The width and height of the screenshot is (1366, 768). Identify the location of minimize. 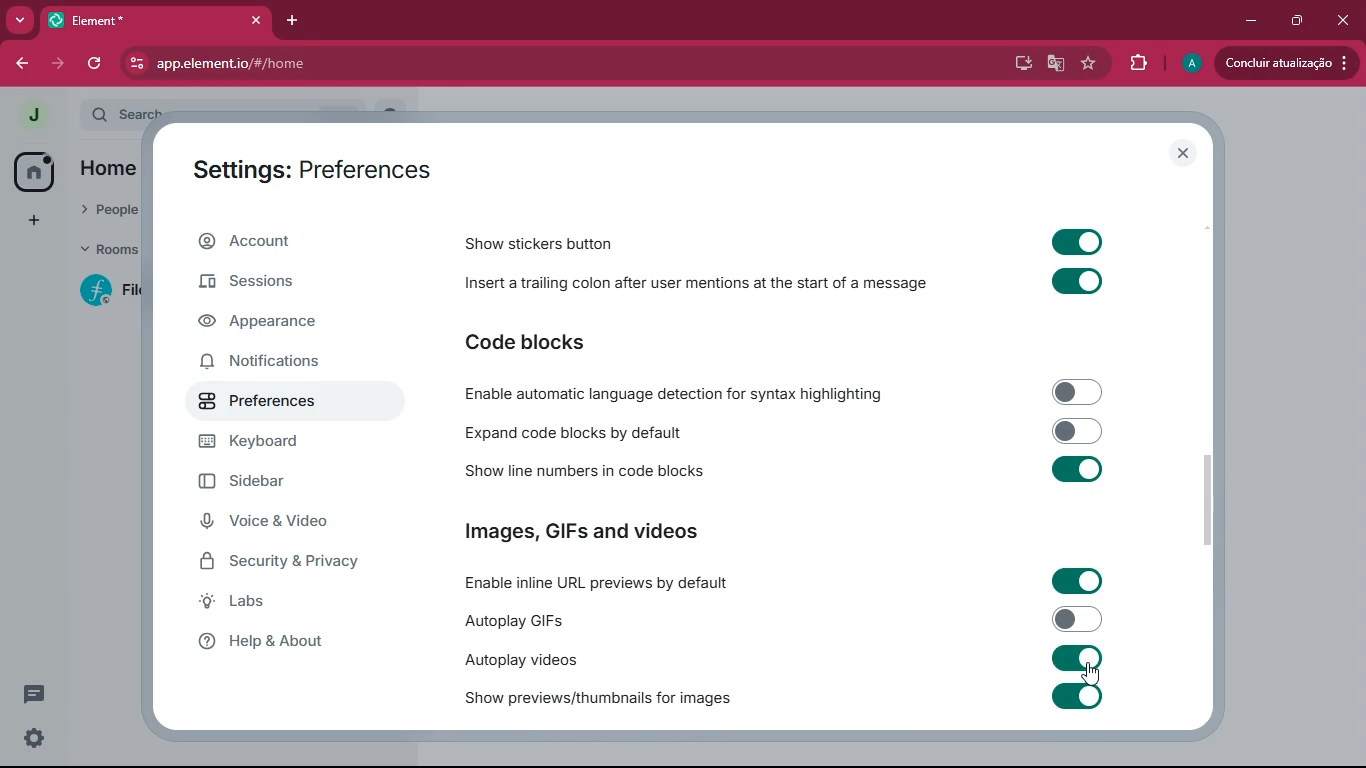
(1247, 19).